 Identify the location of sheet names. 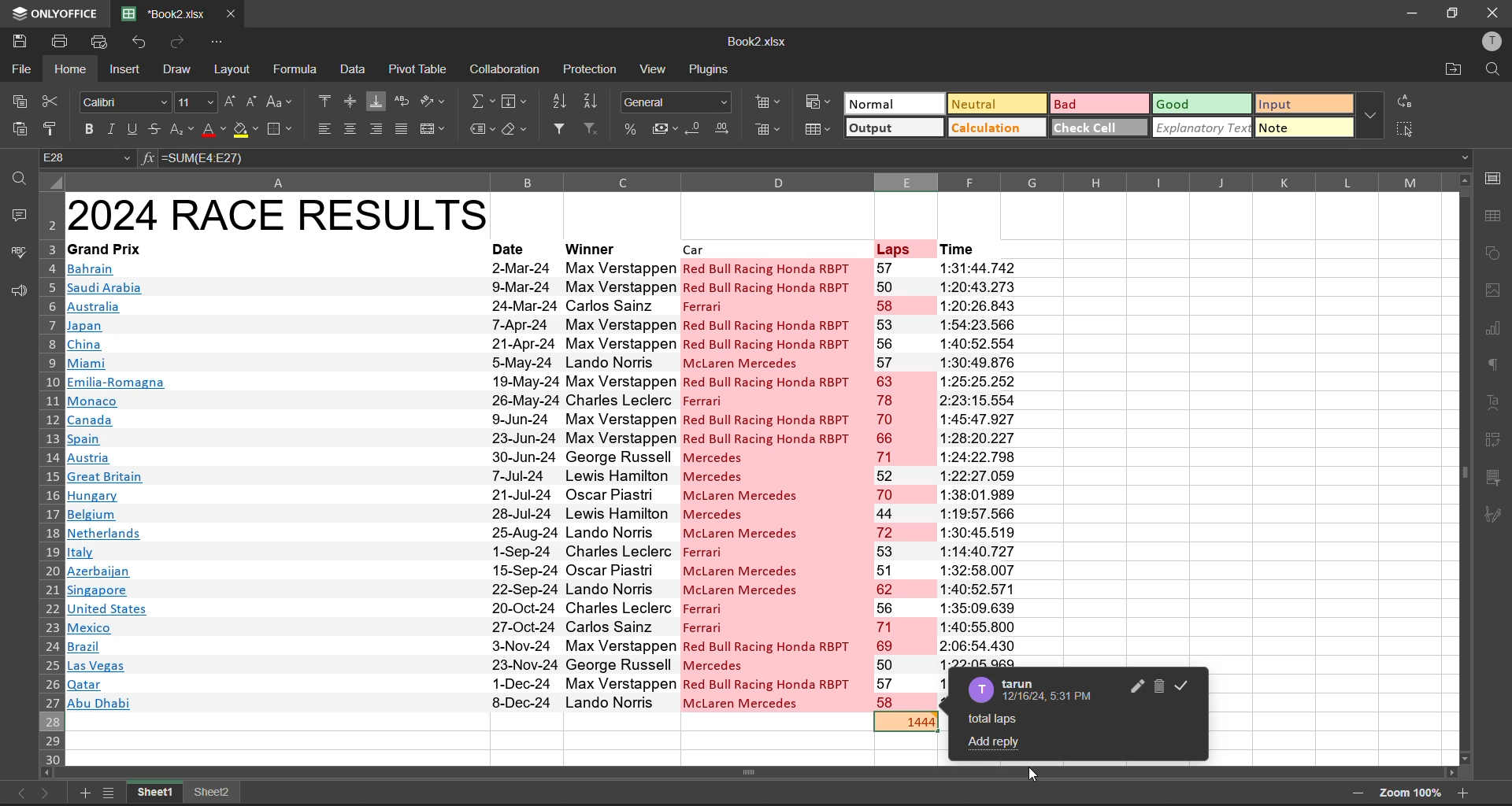
(156, 794).